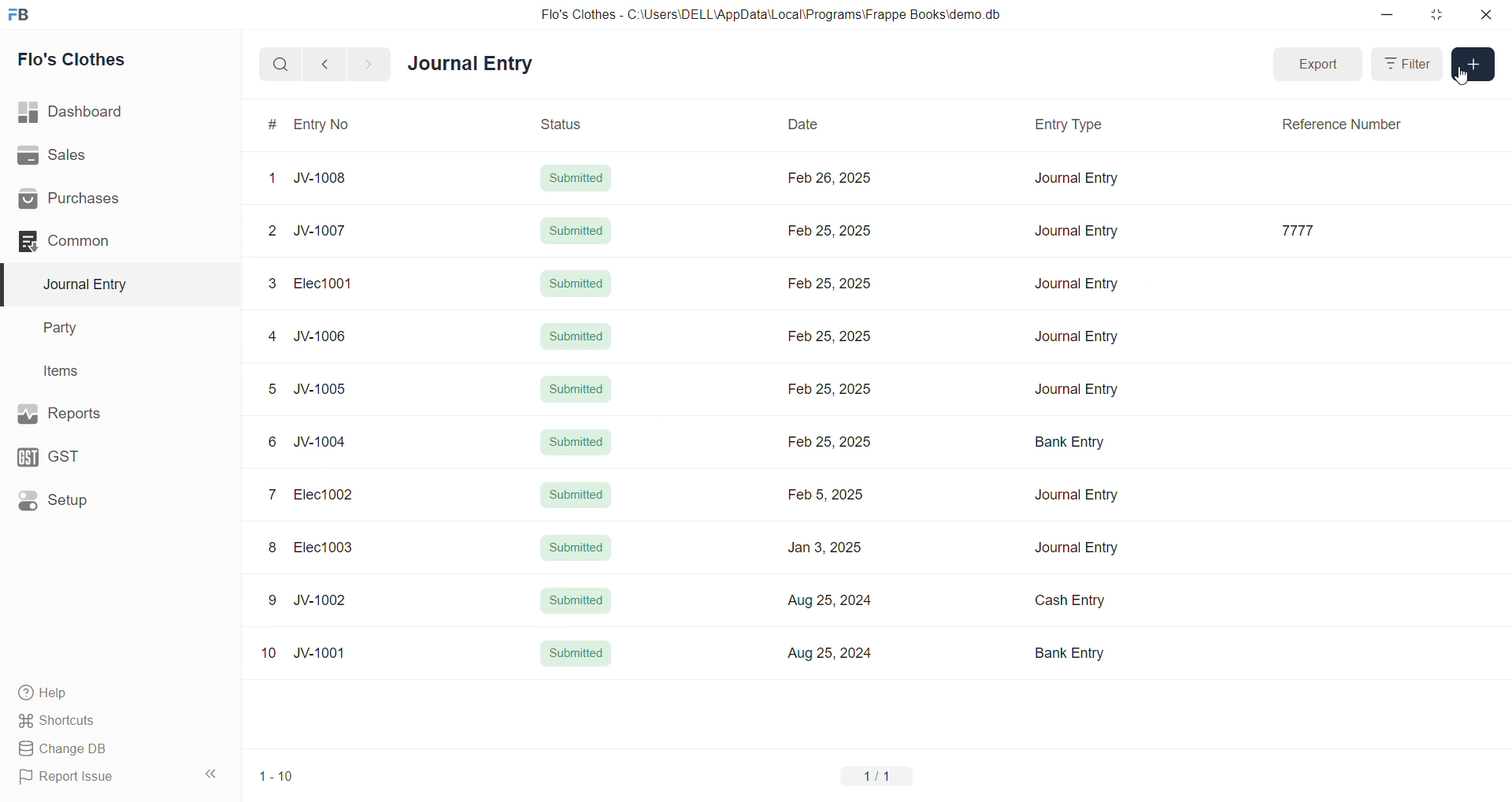 This screenshot has height=802, width=1512. I want to click on collapse sidebar, so click(213, 774).